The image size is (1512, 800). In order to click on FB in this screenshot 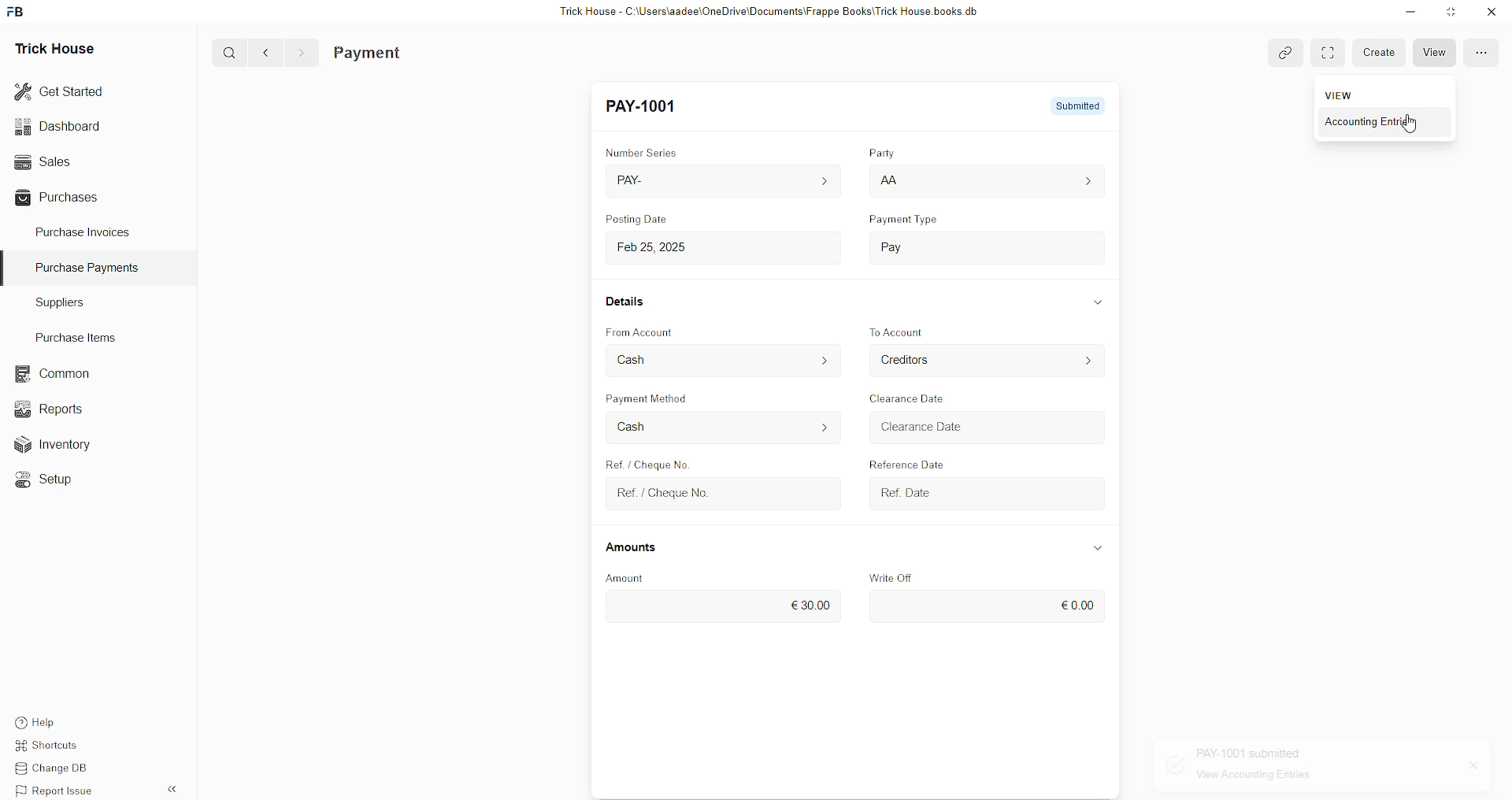, I will do `click(18, 10)`.